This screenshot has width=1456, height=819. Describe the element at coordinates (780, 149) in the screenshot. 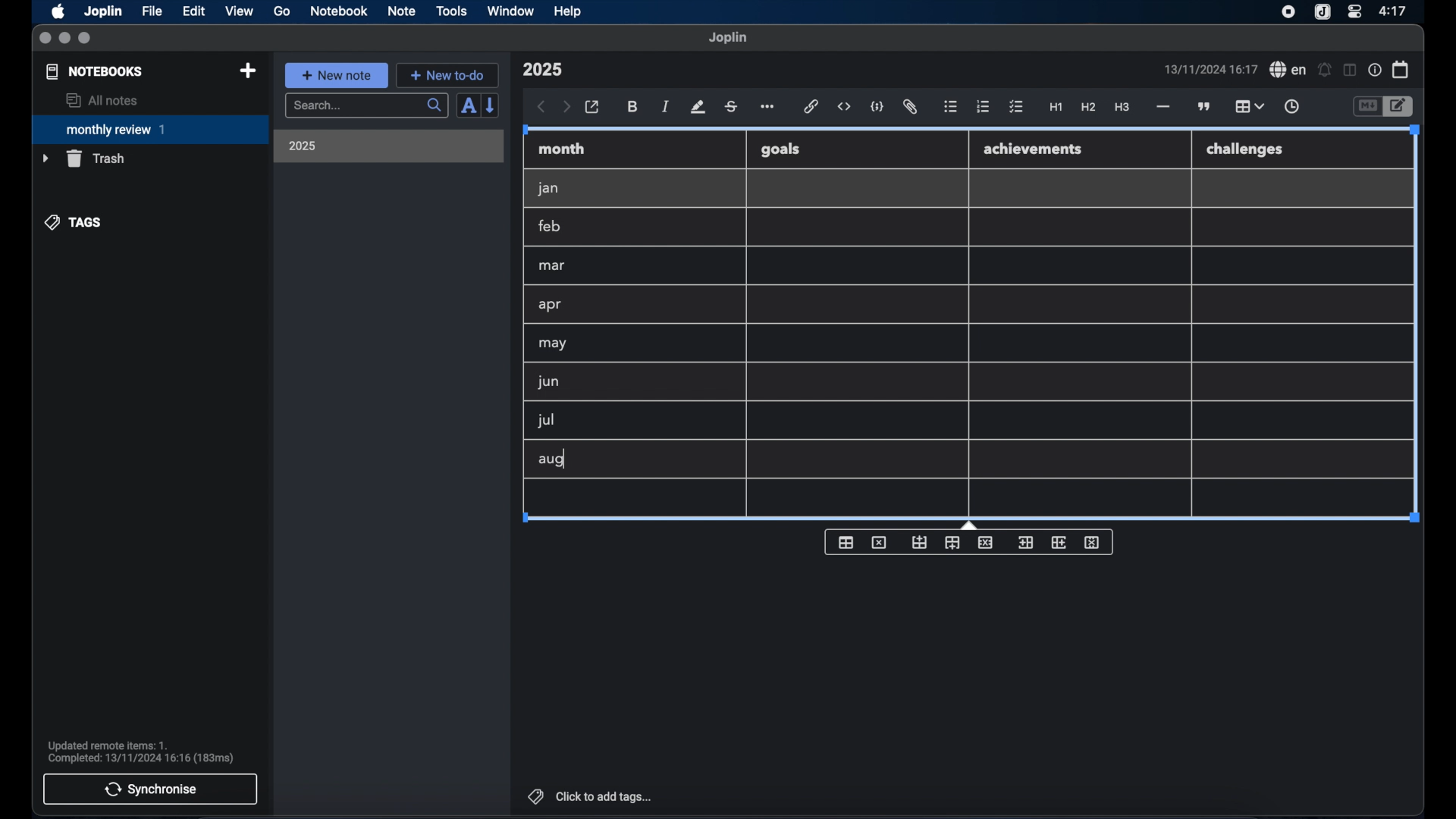

I see `goals` at that location.